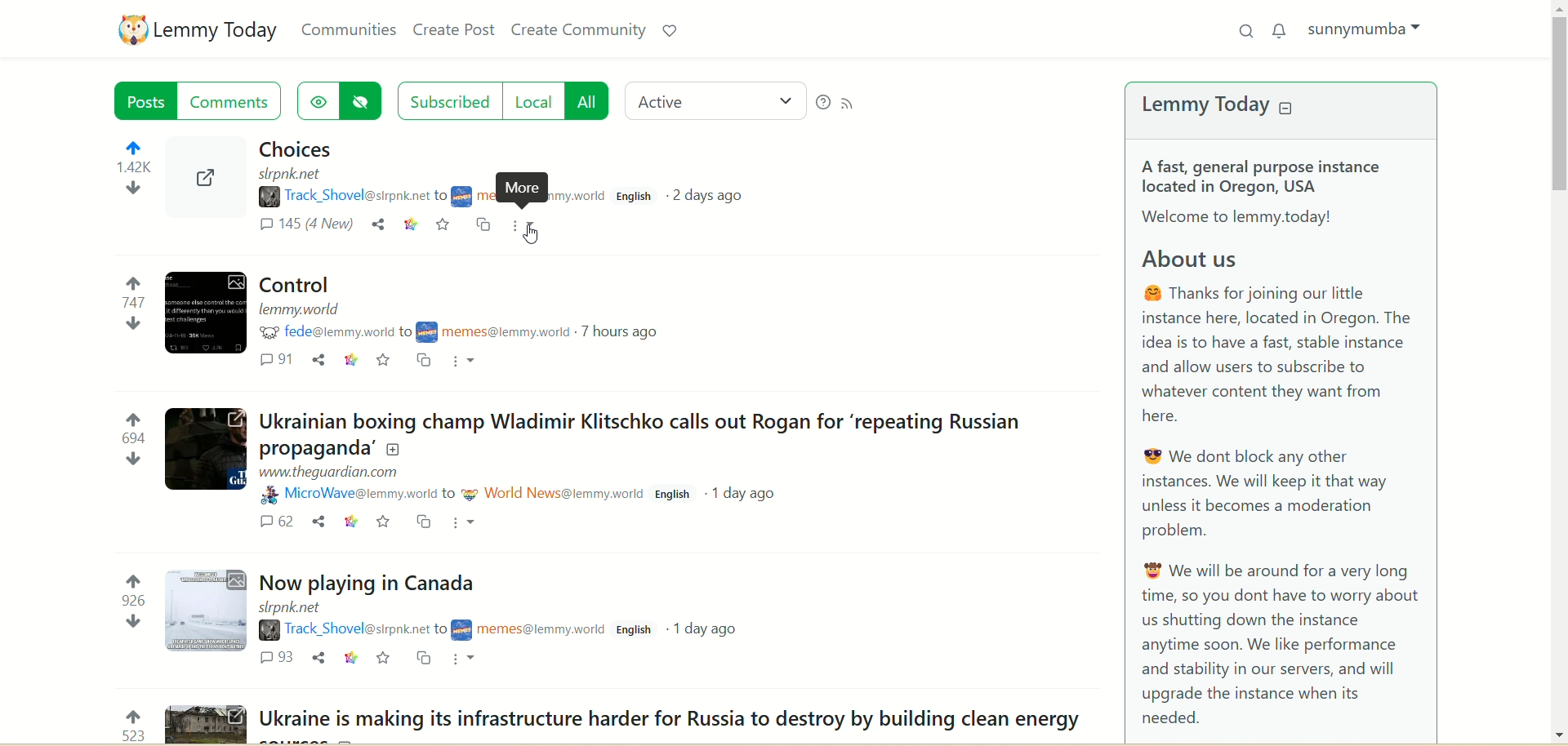 This screenshot has width=1568, height=746. What do you see at coordinates (207, 611) in the screenshot?
I see `Expand the post with image details` at bounding box center [207, 611].